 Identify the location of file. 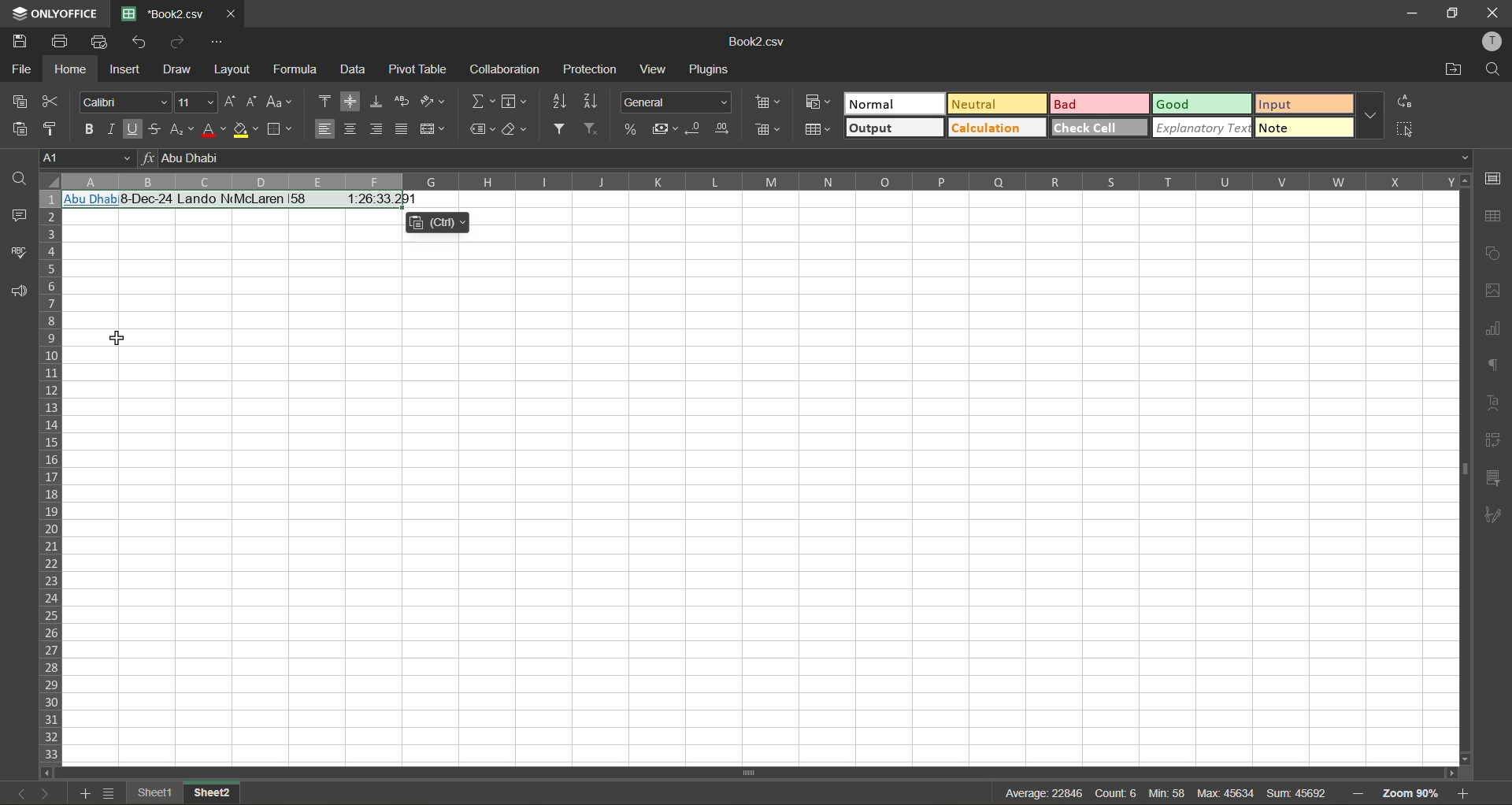
(19, 66).